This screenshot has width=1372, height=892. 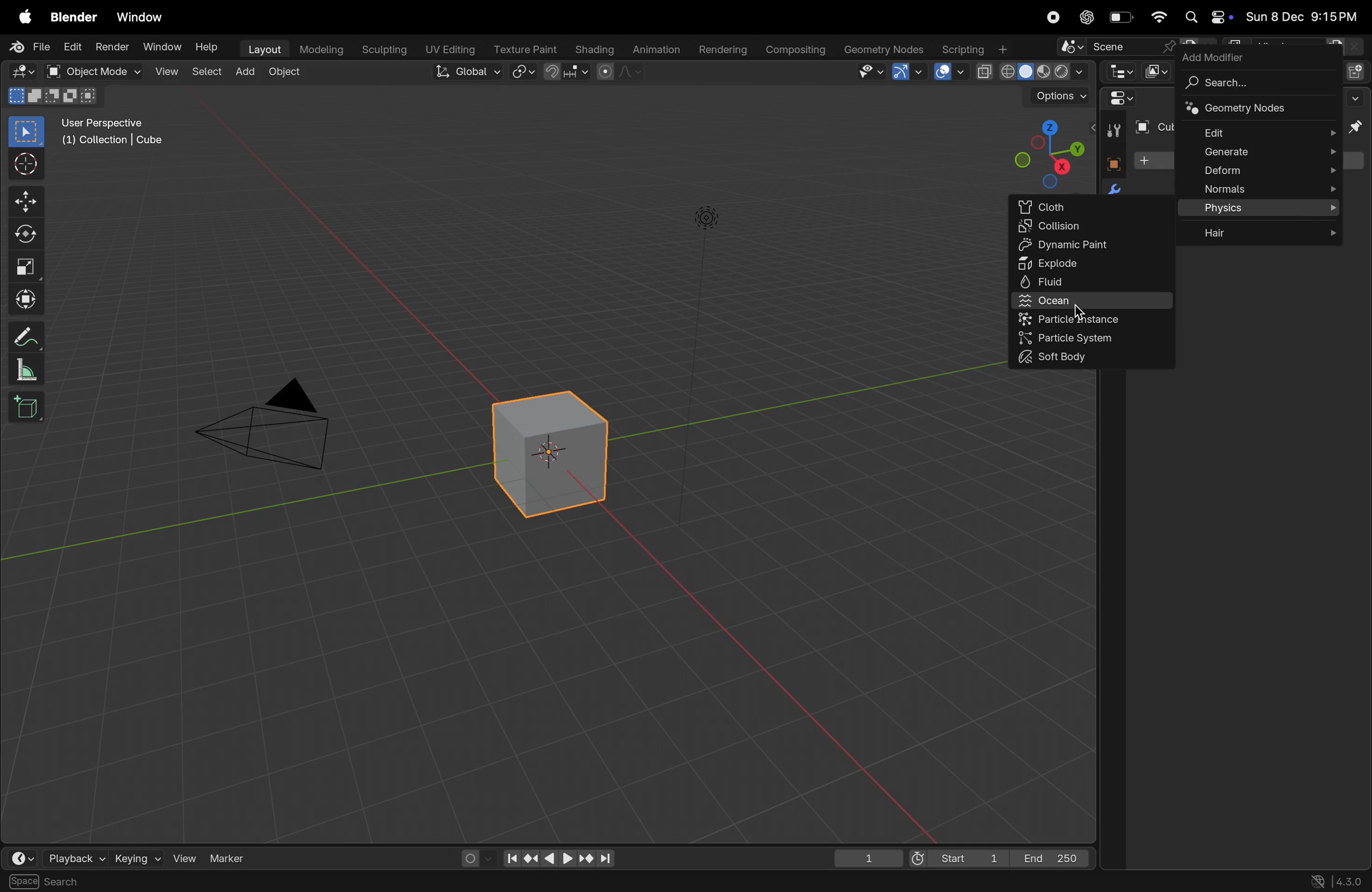 What do you see at coordinates (452, 48) in the screenshot?
I see `uv editing` at bounding box center [452, 48].